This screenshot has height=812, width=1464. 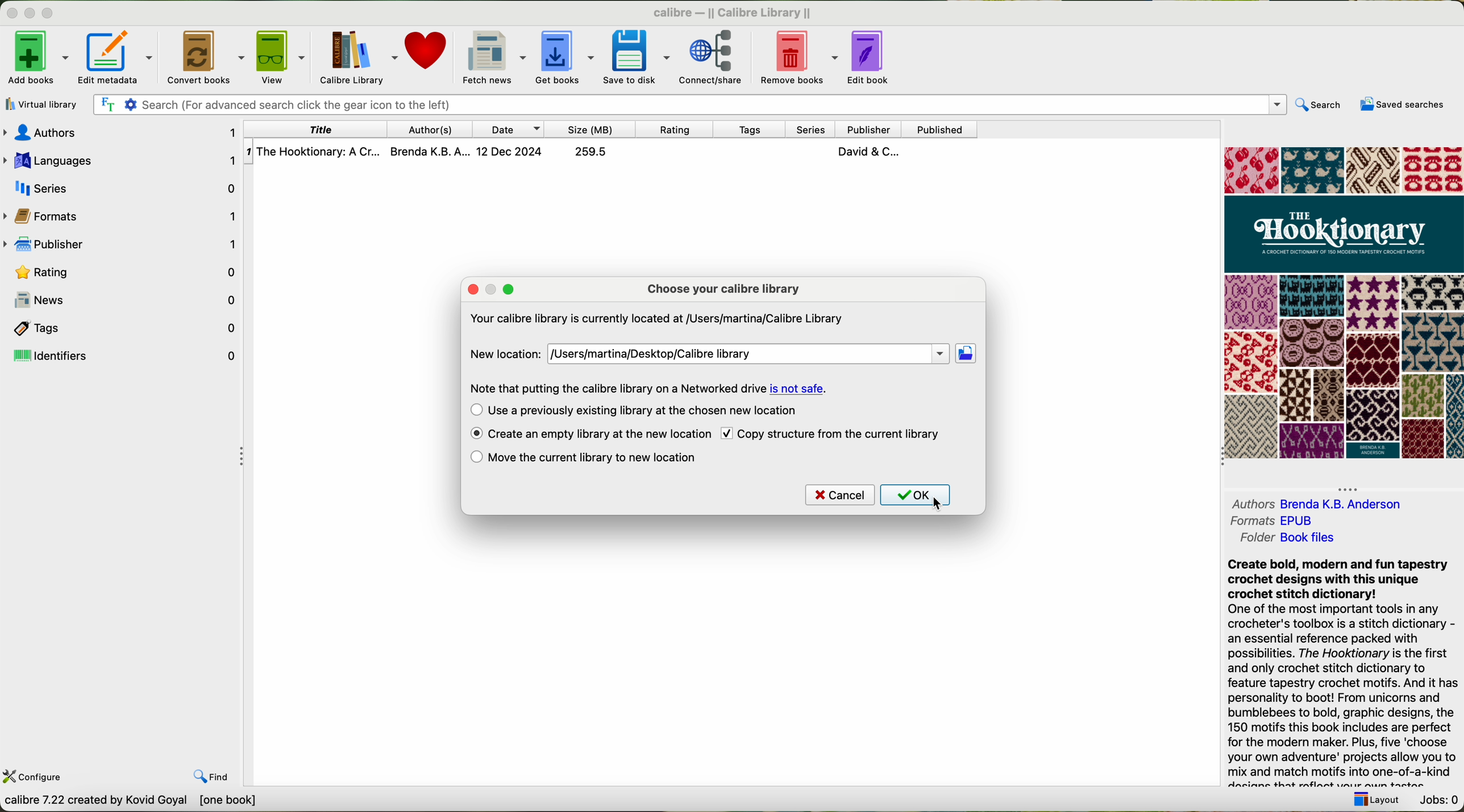 I want to click on checkbox, so click(x=474, y=458).